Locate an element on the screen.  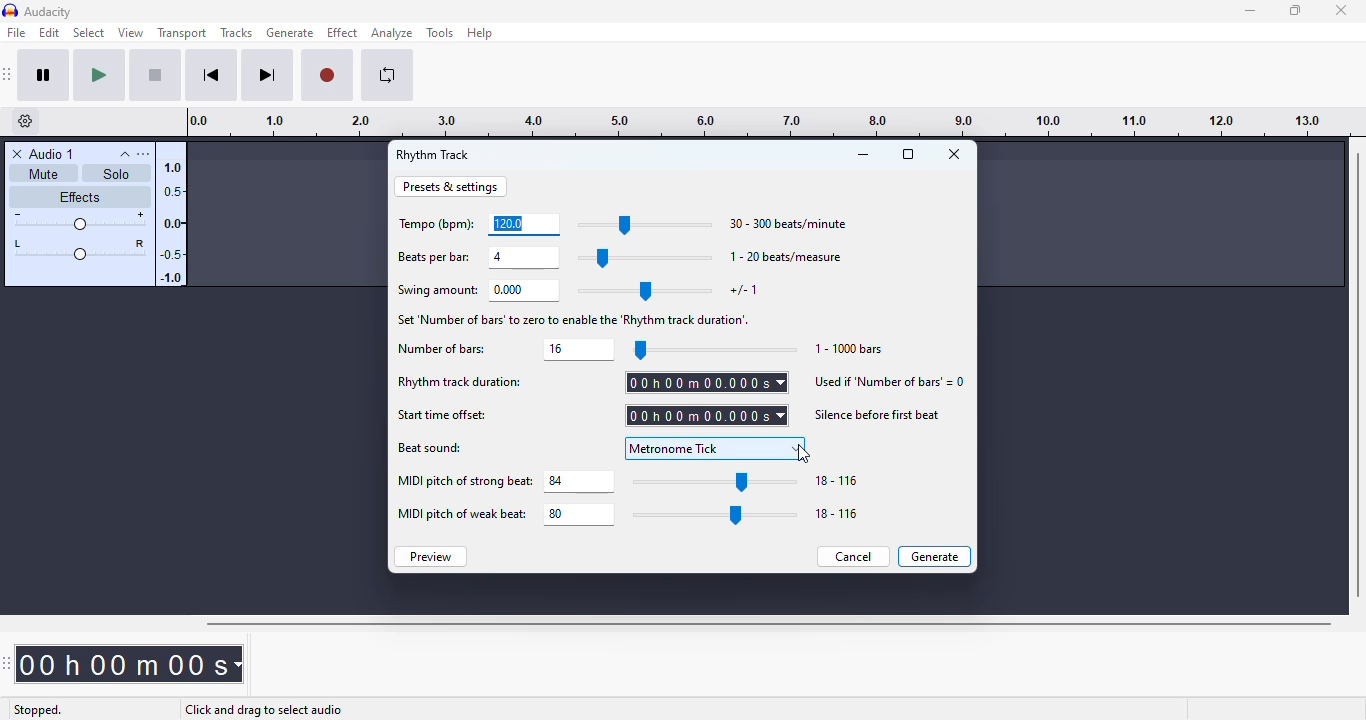
presets & settings is located at coordinates (449, 187).